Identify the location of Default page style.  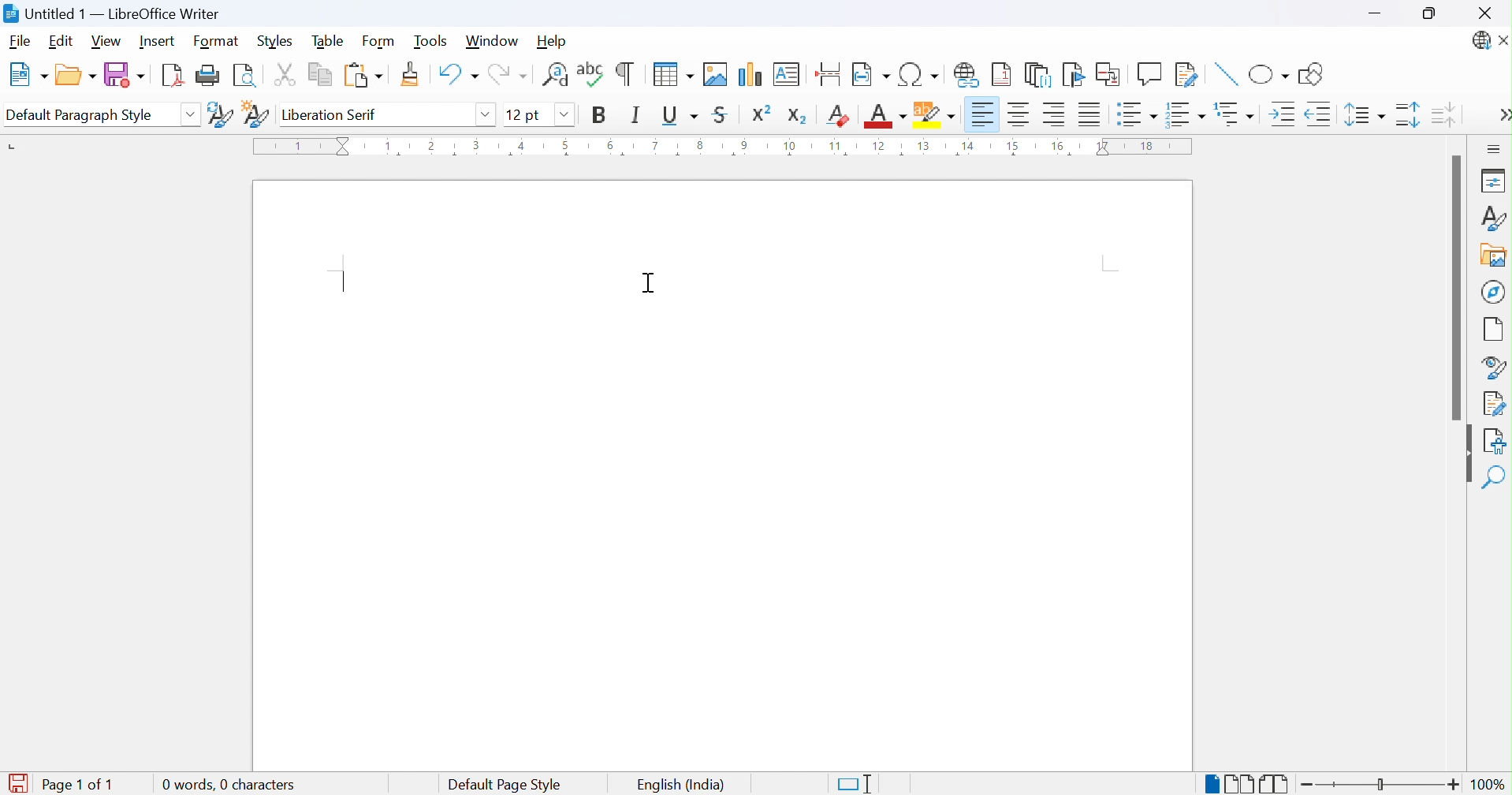
(503, 785).